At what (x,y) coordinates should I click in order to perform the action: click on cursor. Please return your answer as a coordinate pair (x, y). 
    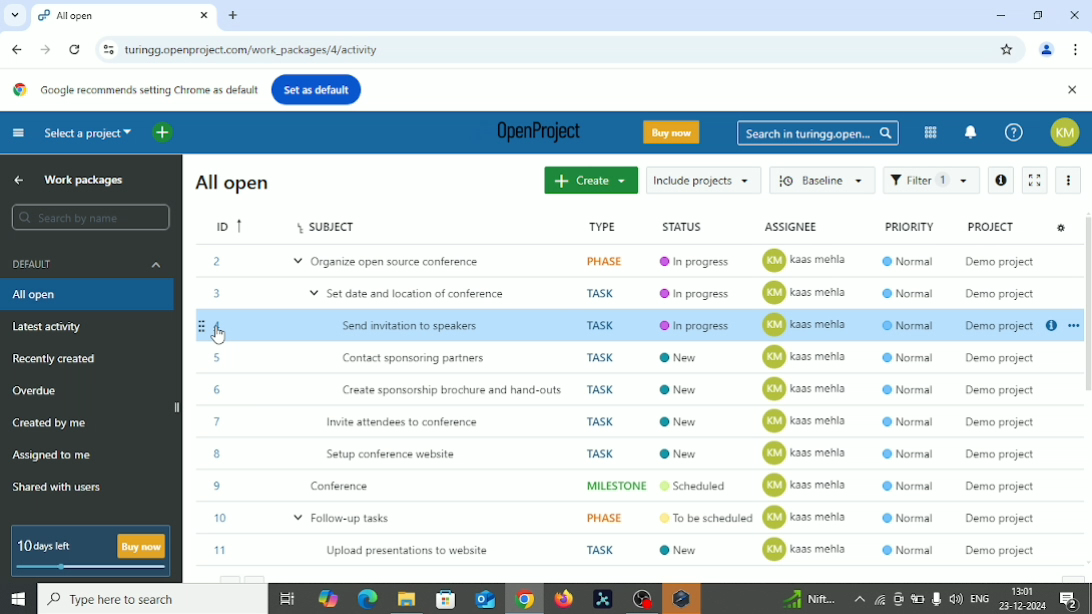
    Looking at the image, I should click on (221, 339).